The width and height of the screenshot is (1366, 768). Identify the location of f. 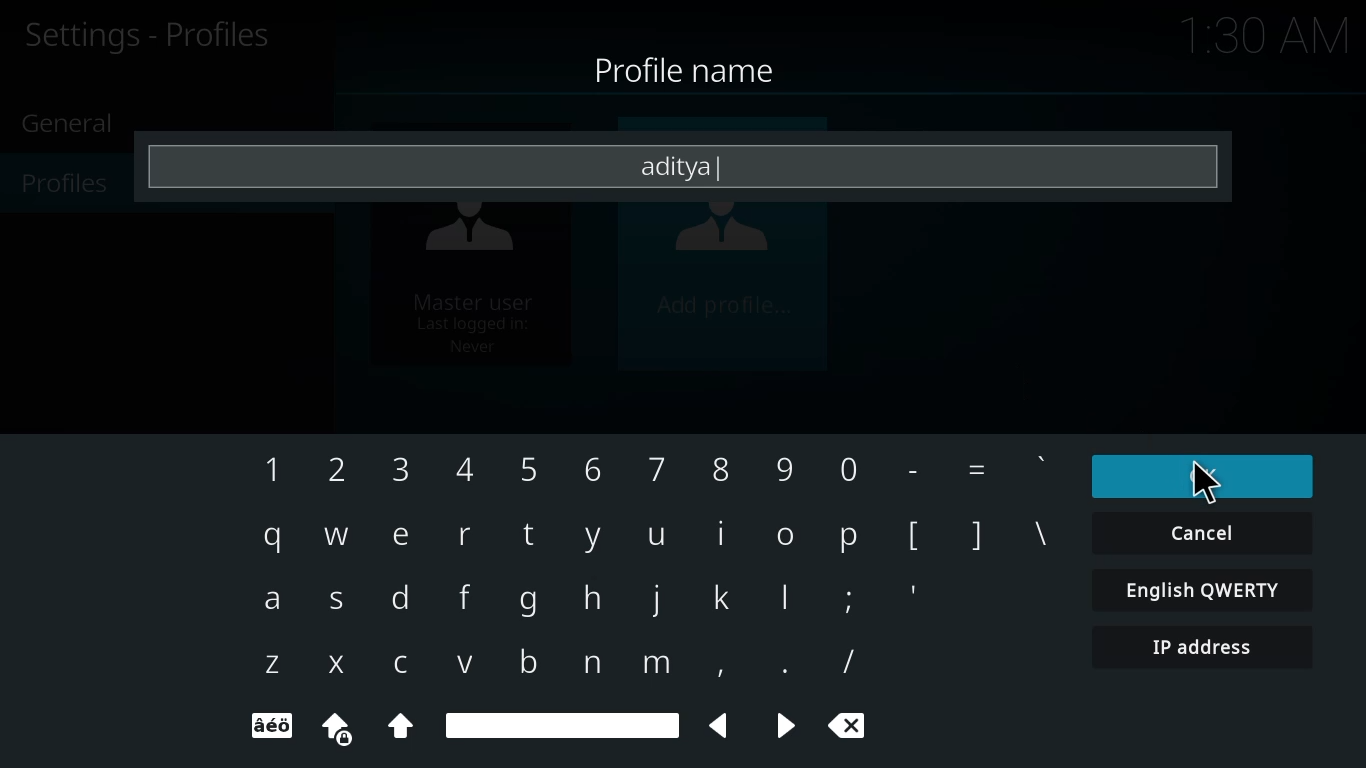
(463, 599).